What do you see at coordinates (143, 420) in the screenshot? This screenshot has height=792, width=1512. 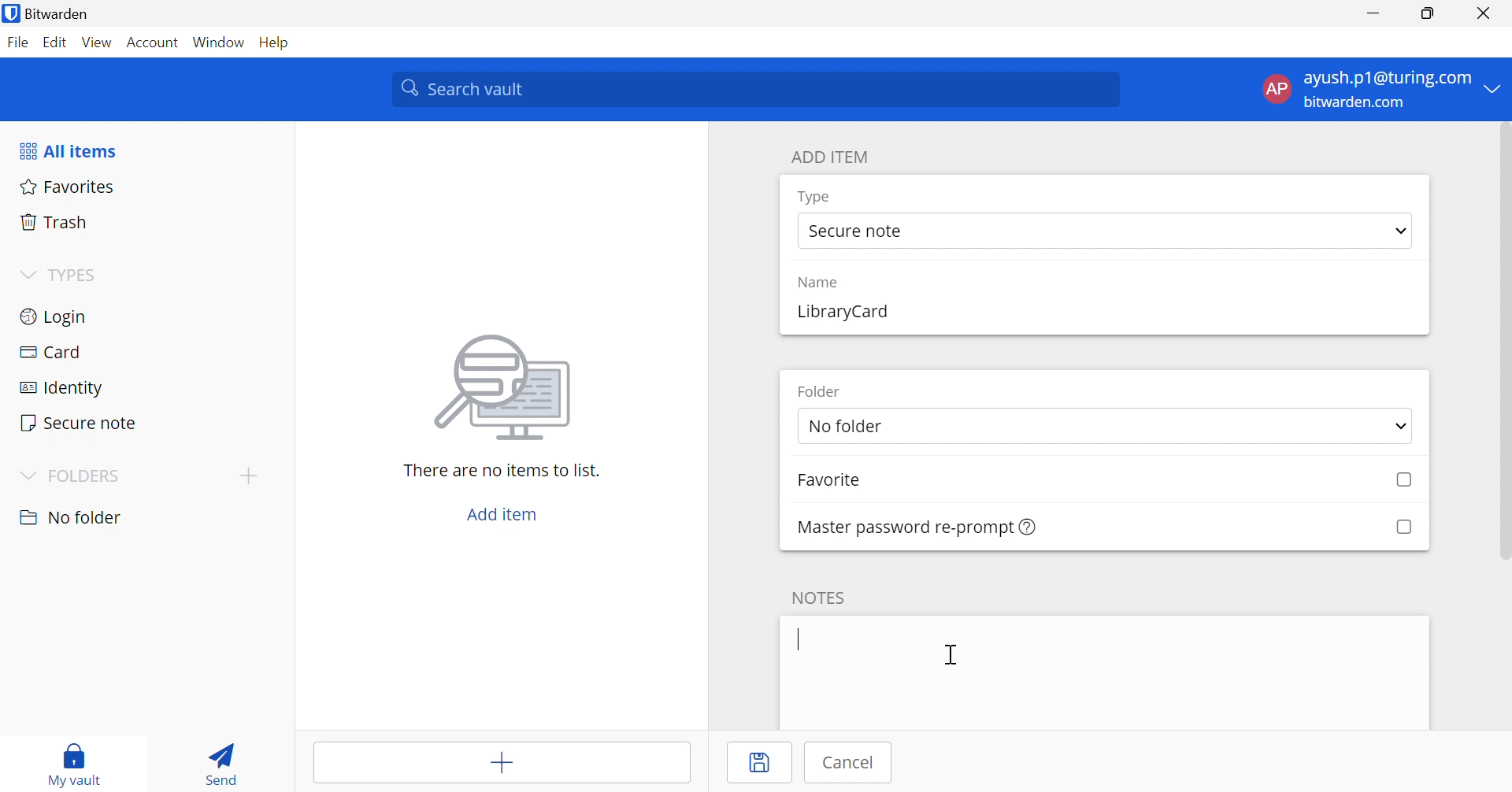 I see `Secure note` at bounding box center [143, 420].